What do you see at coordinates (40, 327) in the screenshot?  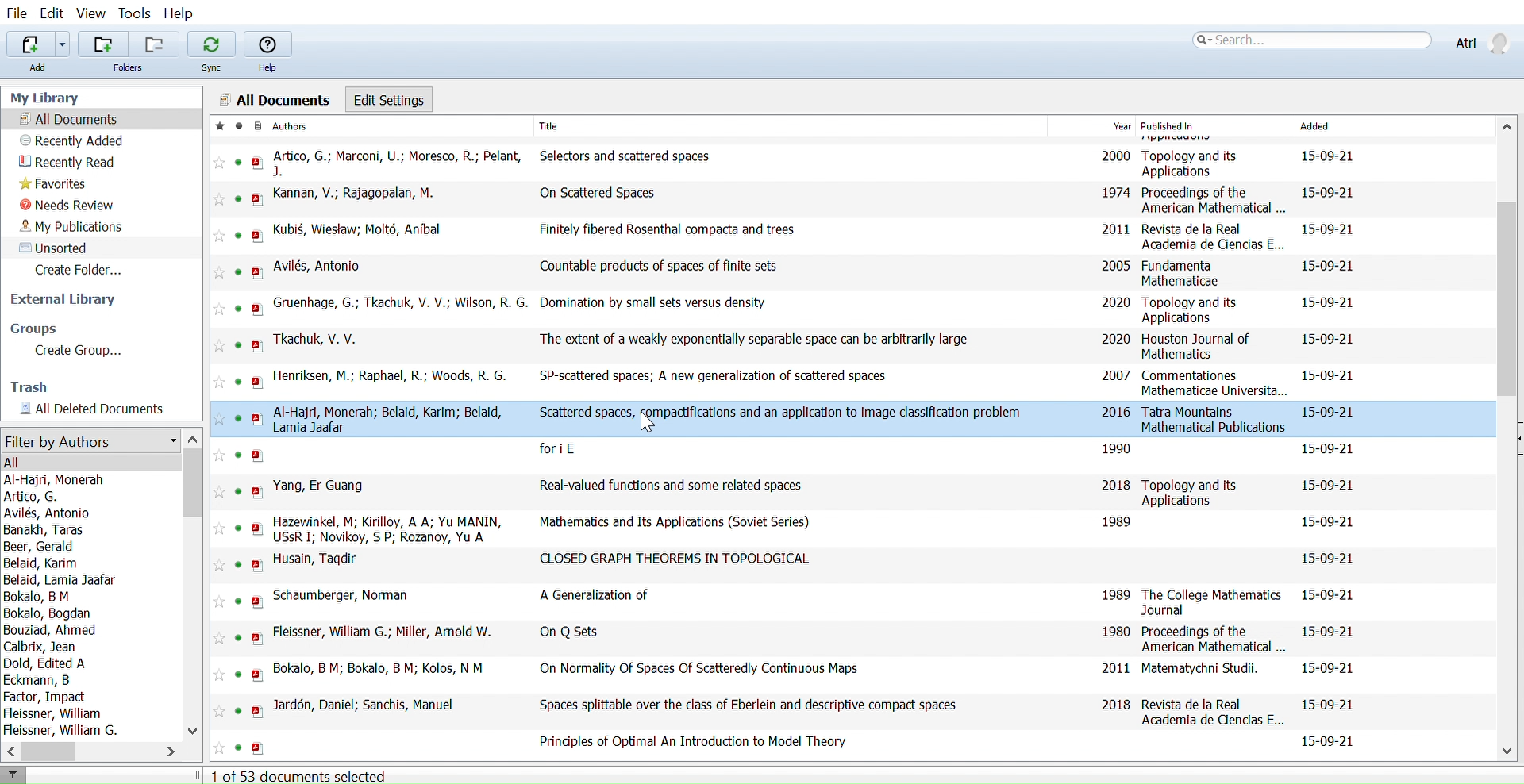 I see `Groups` at bounding box center [40, 327].